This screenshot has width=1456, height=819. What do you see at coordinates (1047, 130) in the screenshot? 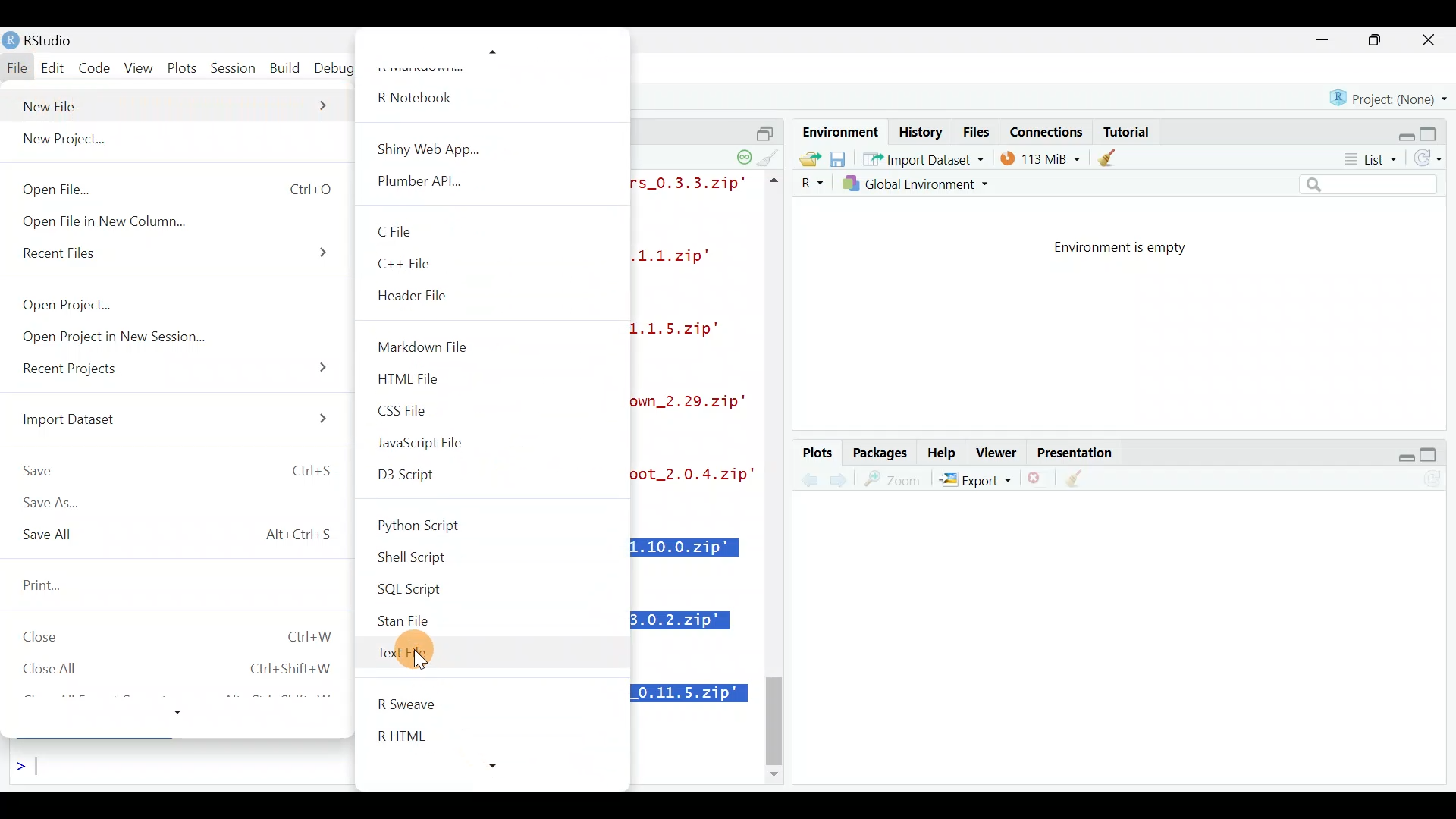
I see `Connections` at bounding box center [1047, 130].